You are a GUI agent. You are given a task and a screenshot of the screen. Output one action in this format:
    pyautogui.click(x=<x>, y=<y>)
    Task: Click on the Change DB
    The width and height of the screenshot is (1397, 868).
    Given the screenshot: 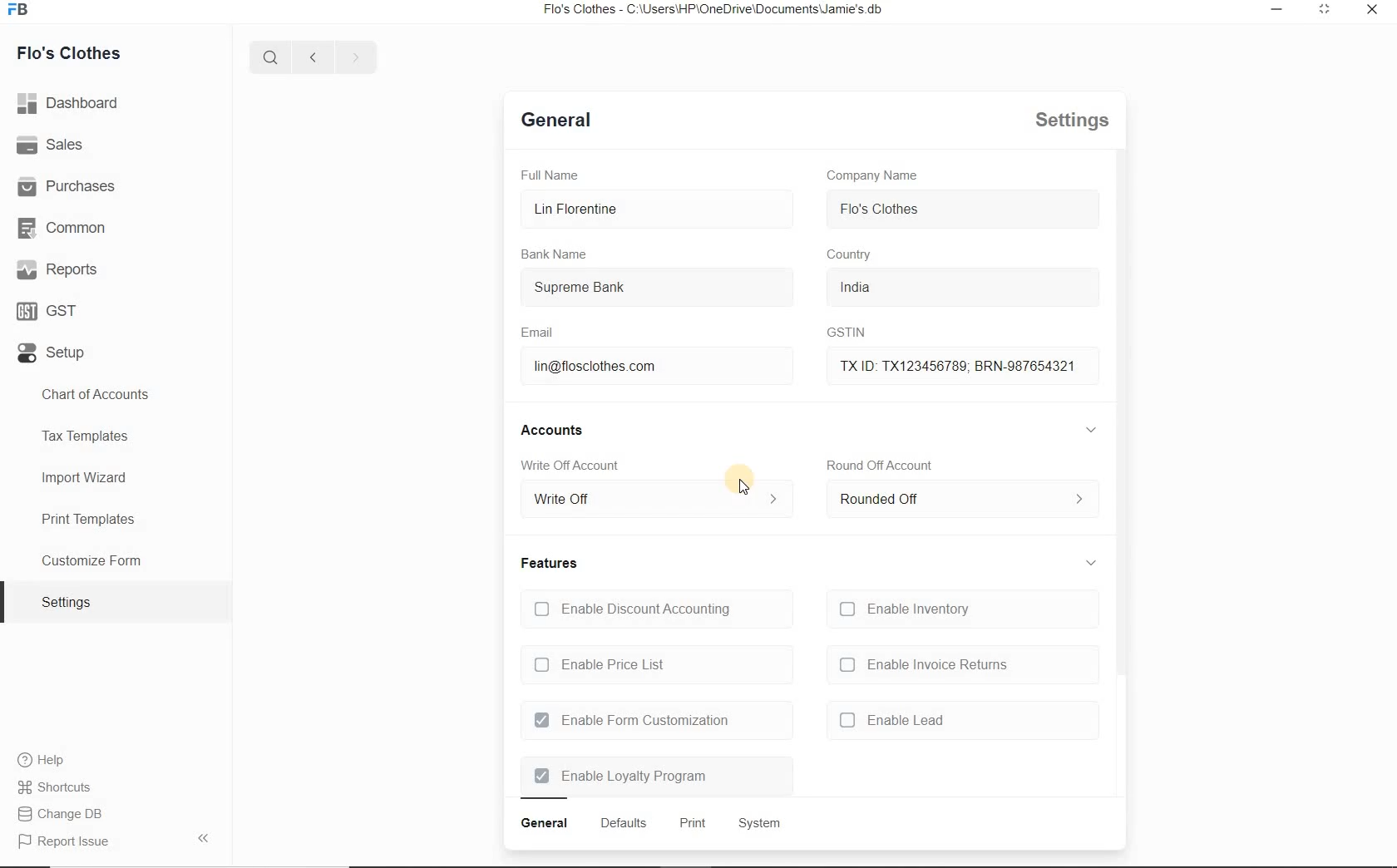 What is the action you would take?
    pyautogui.click(x=66, y=787)
    